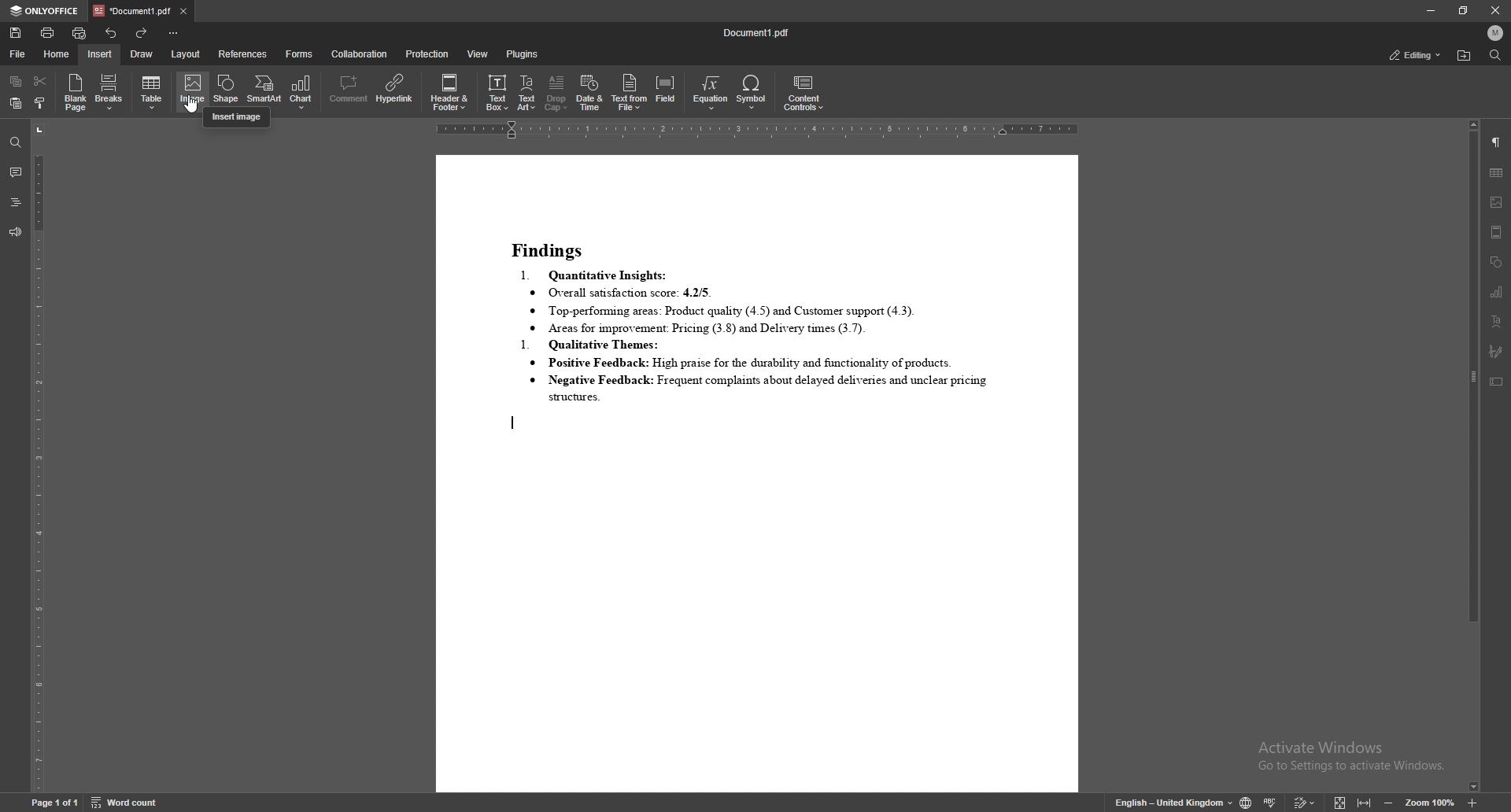 The width and height of the screenshot is (1511, 812). I want to click on track changes, so click(1305, 802).